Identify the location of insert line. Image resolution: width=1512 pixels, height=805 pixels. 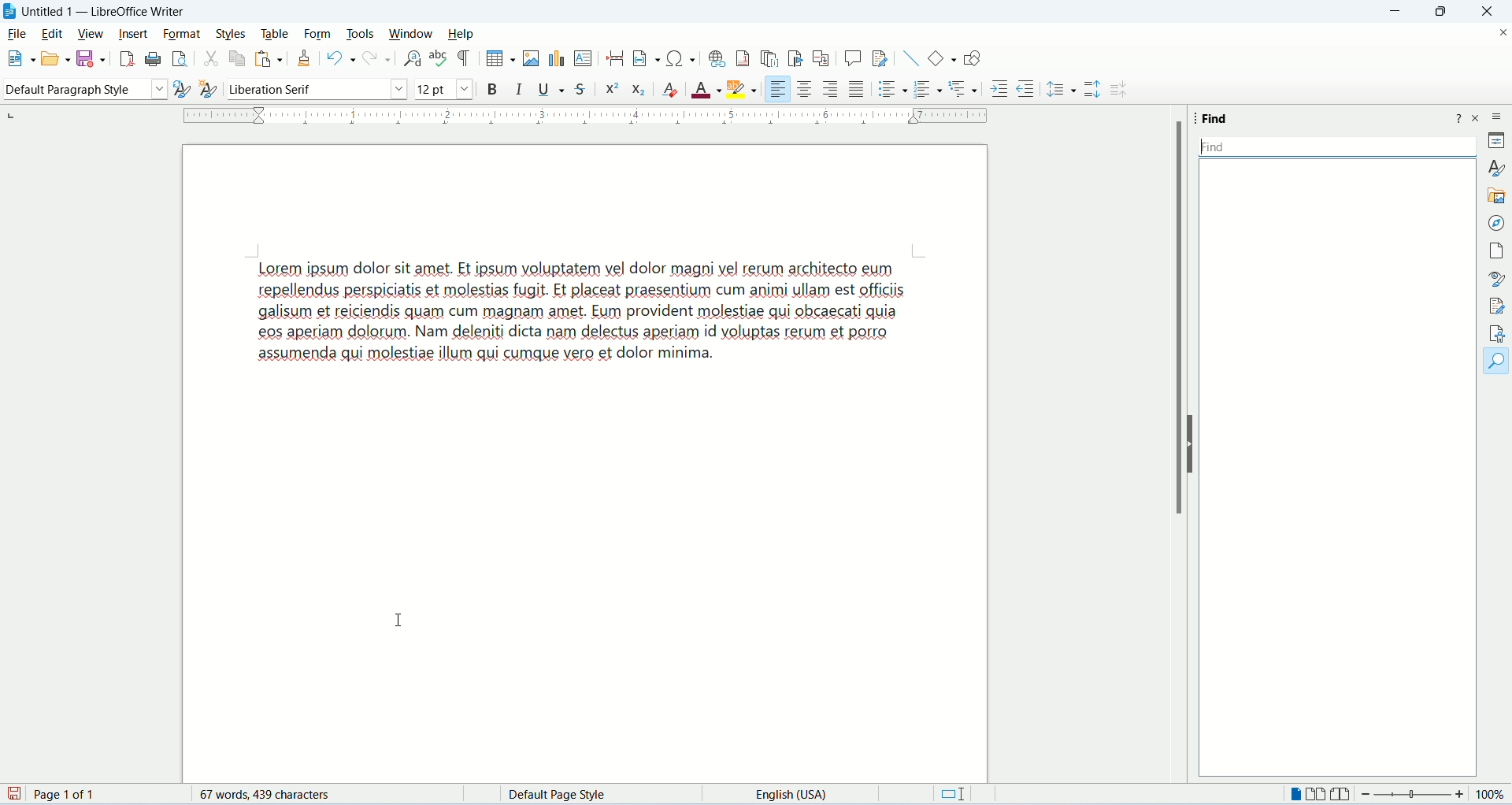
(911, 59).